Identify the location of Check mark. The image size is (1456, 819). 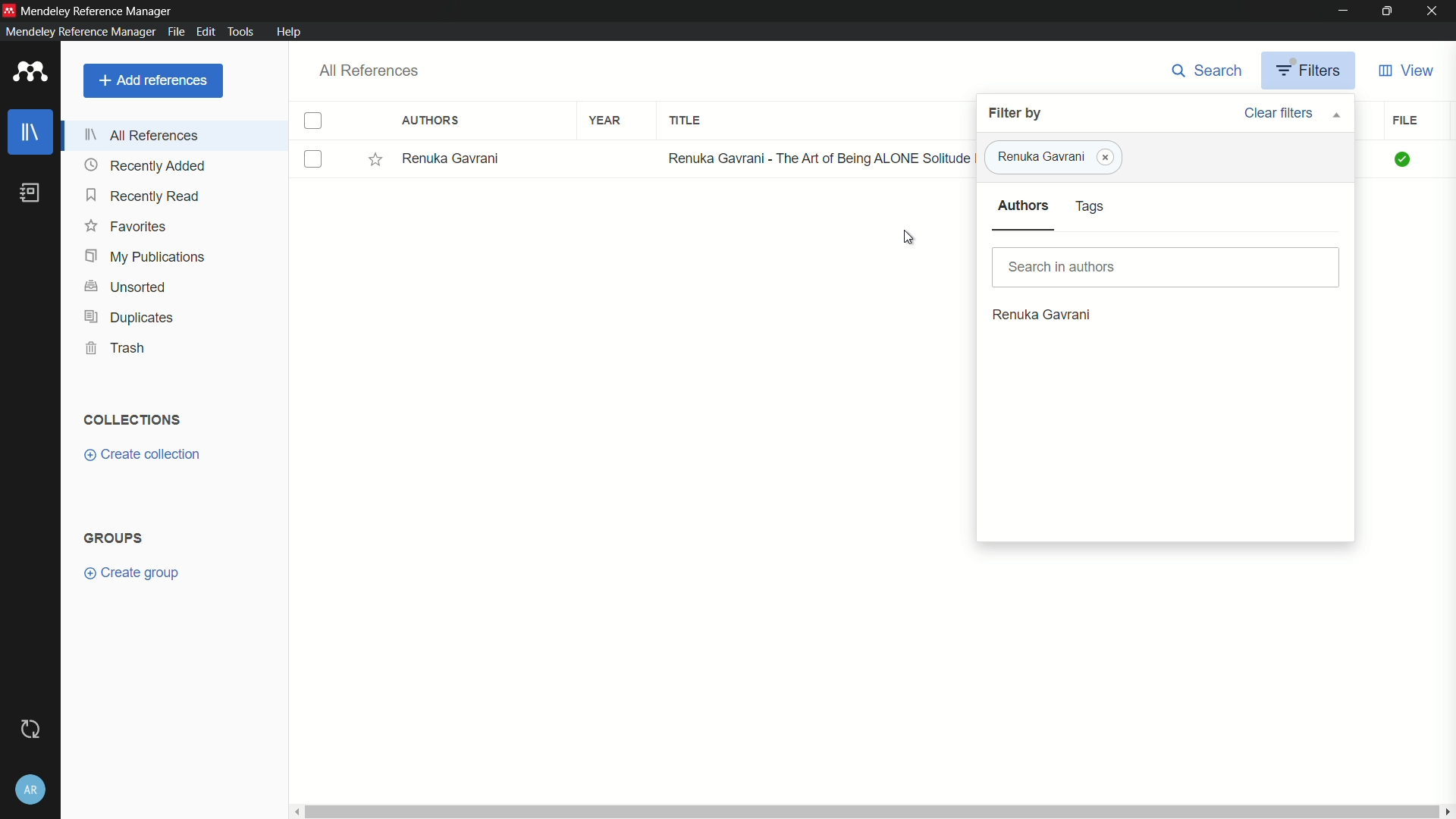
(1404, 159).